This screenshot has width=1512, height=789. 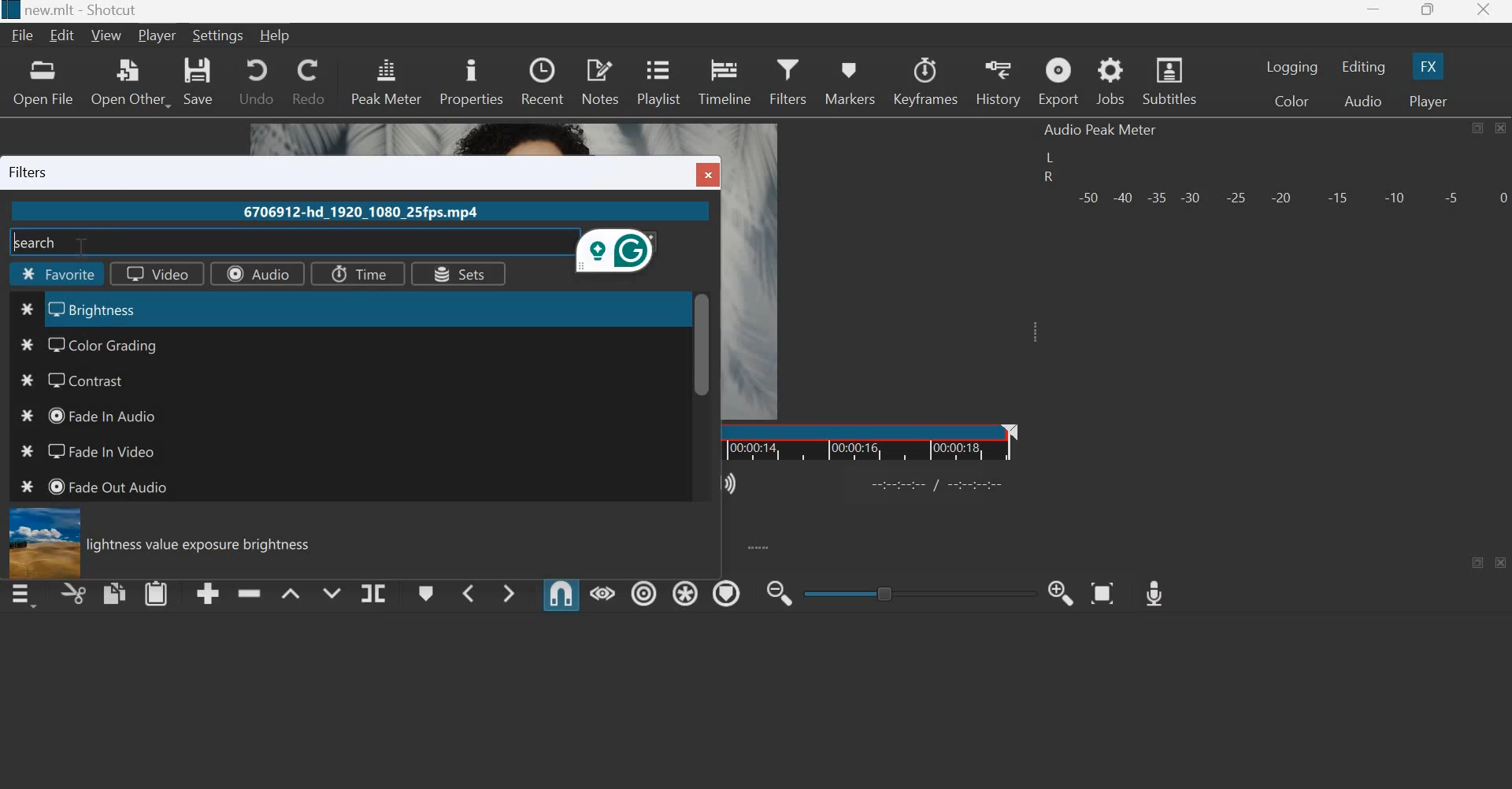 What do you see at coordinates (219, 35) in the screenshot?
I see `Settings` at bounding box center [219, 35].